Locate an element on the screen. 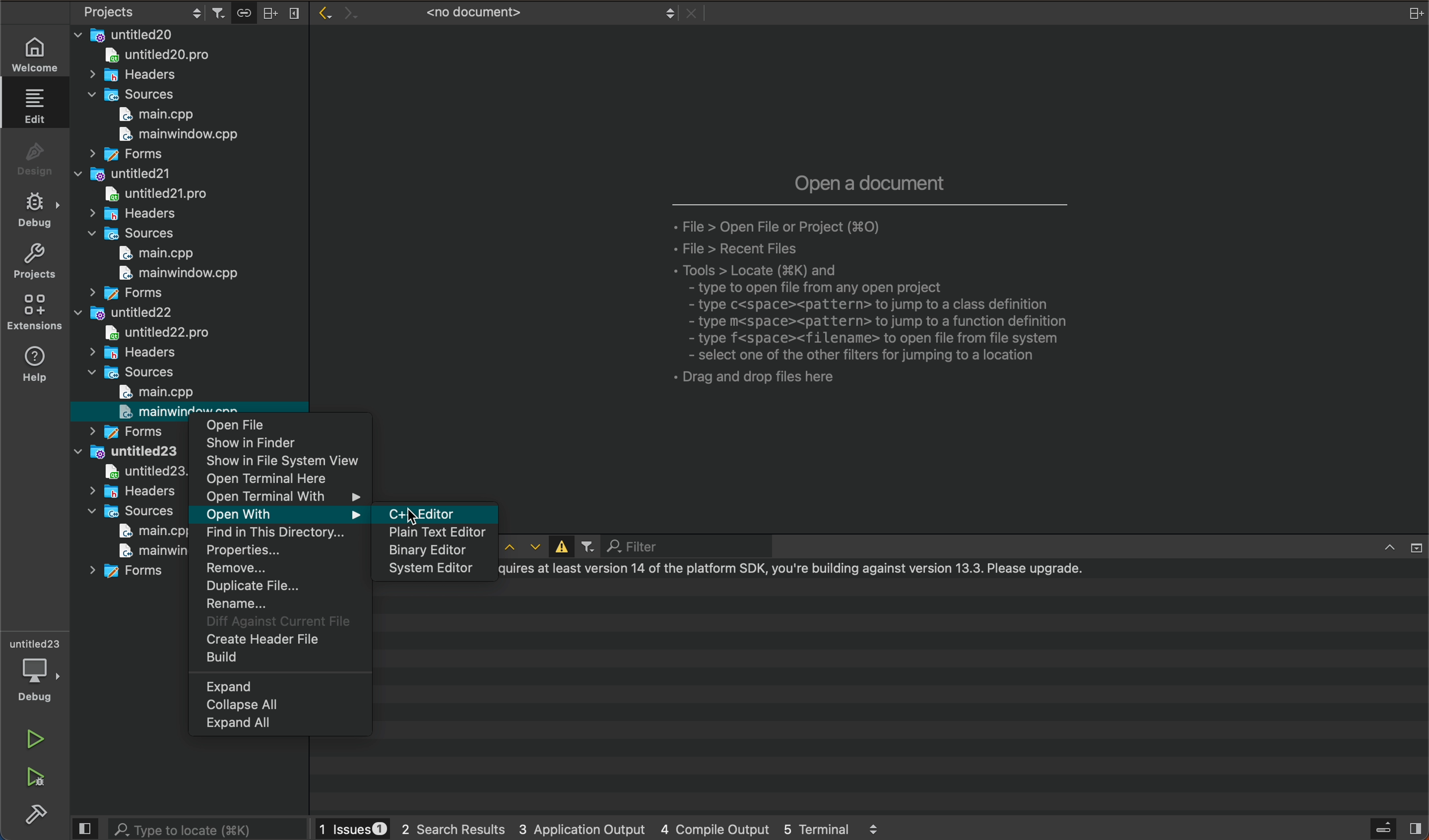  queries at least version 14 of the platform SDK, you're building against version 13.3. Please upgrade. is located at coordinates (803, 571).